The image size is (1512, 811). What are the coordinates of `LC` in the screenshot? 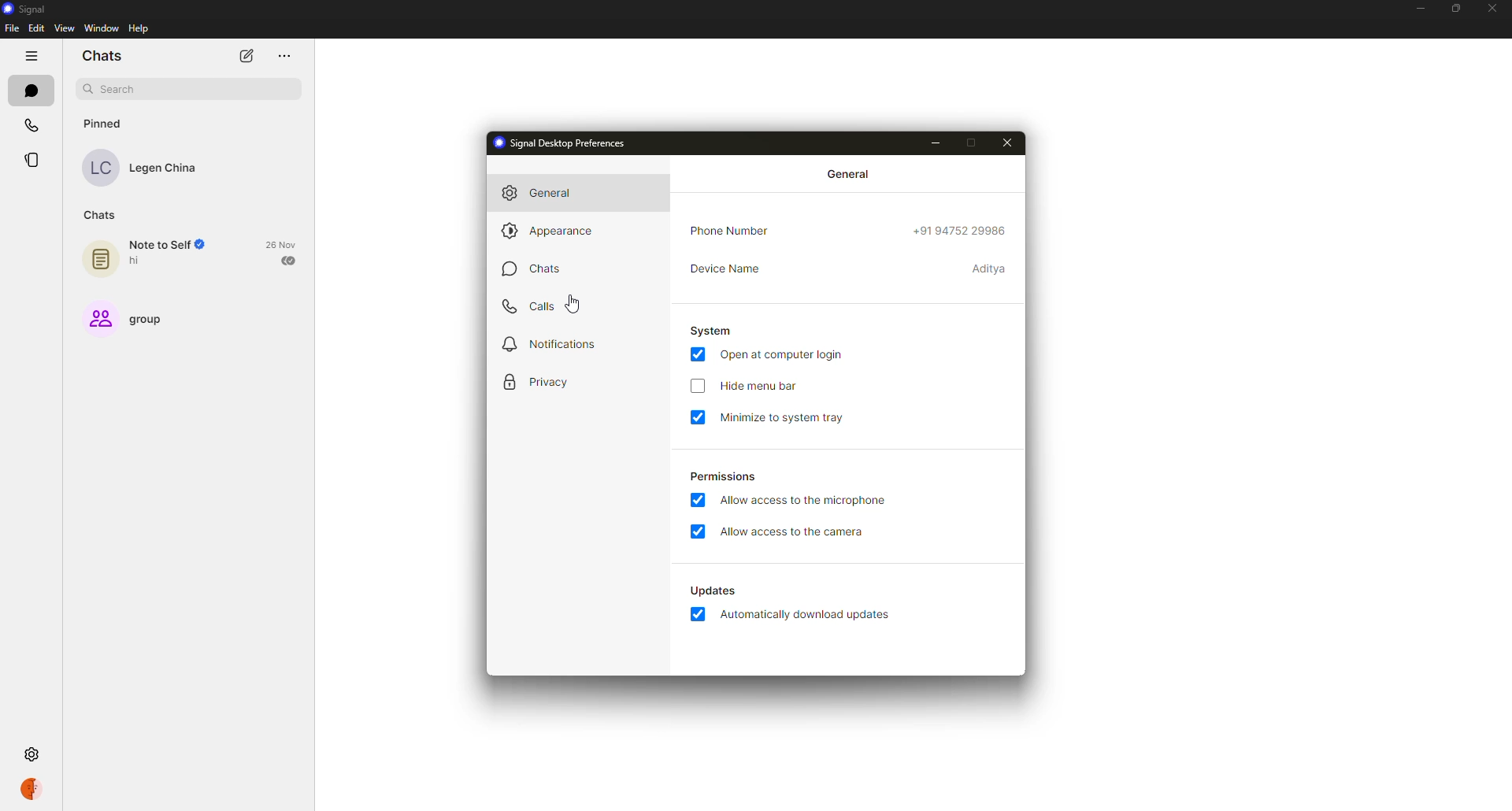 It's located at (100, 170).